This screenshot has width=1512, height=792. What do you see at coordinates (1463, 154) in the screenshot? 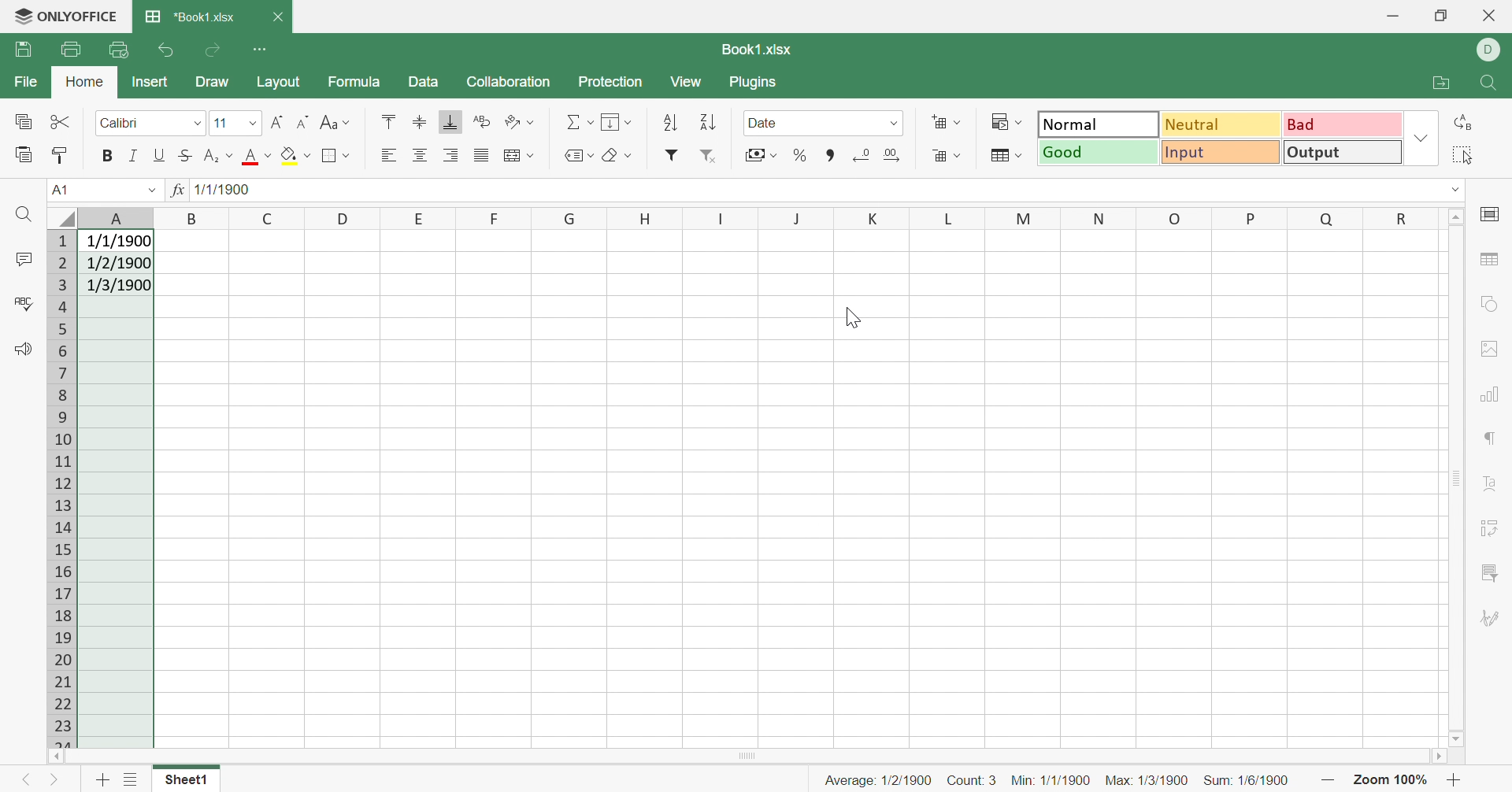
I see `Select all` at bounding box center [1463, 154].